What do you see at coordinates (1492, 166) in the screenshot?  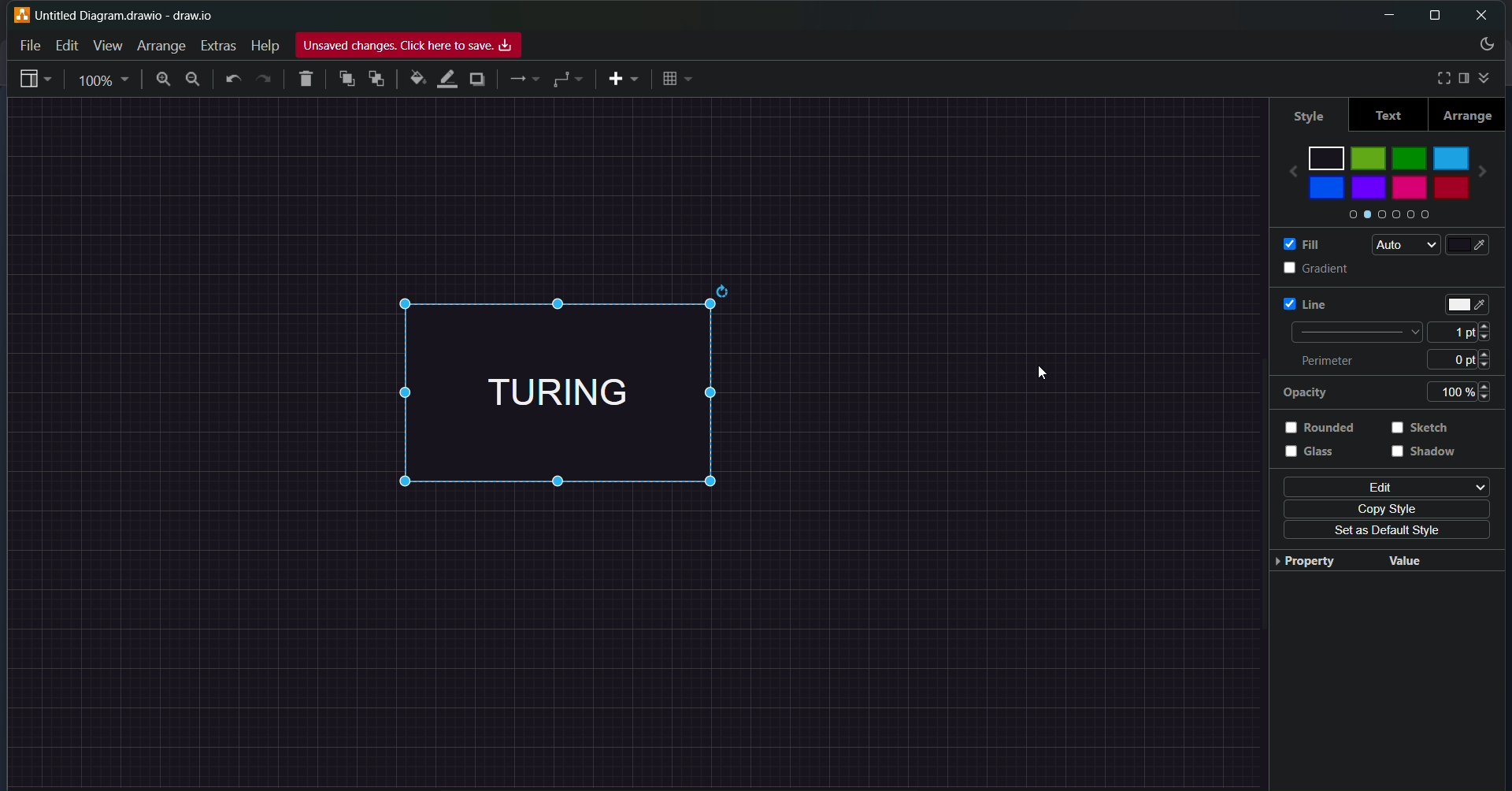 I see `next` at bounding box center [1492, 166].